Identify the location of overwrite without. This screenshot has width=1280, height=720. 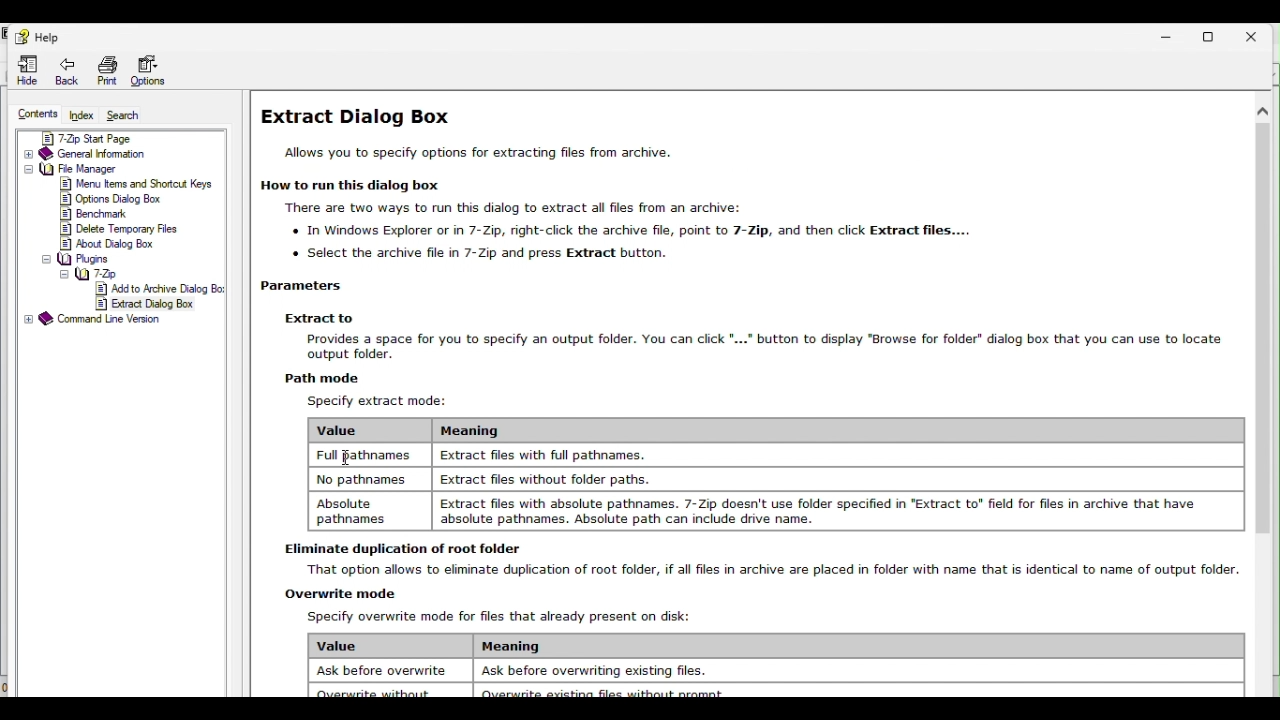
(374, 692).